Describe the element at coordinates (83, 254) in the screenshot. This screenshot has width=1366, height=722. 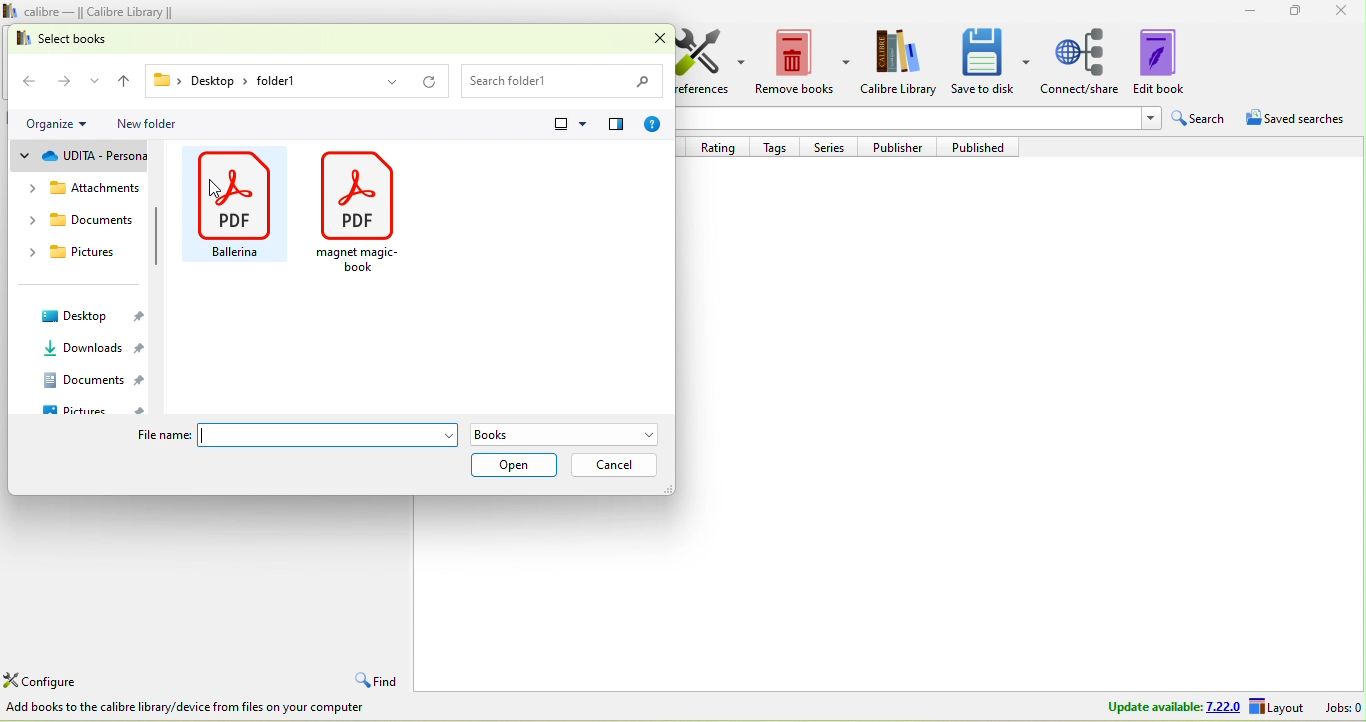
I see `pictures` at that location.